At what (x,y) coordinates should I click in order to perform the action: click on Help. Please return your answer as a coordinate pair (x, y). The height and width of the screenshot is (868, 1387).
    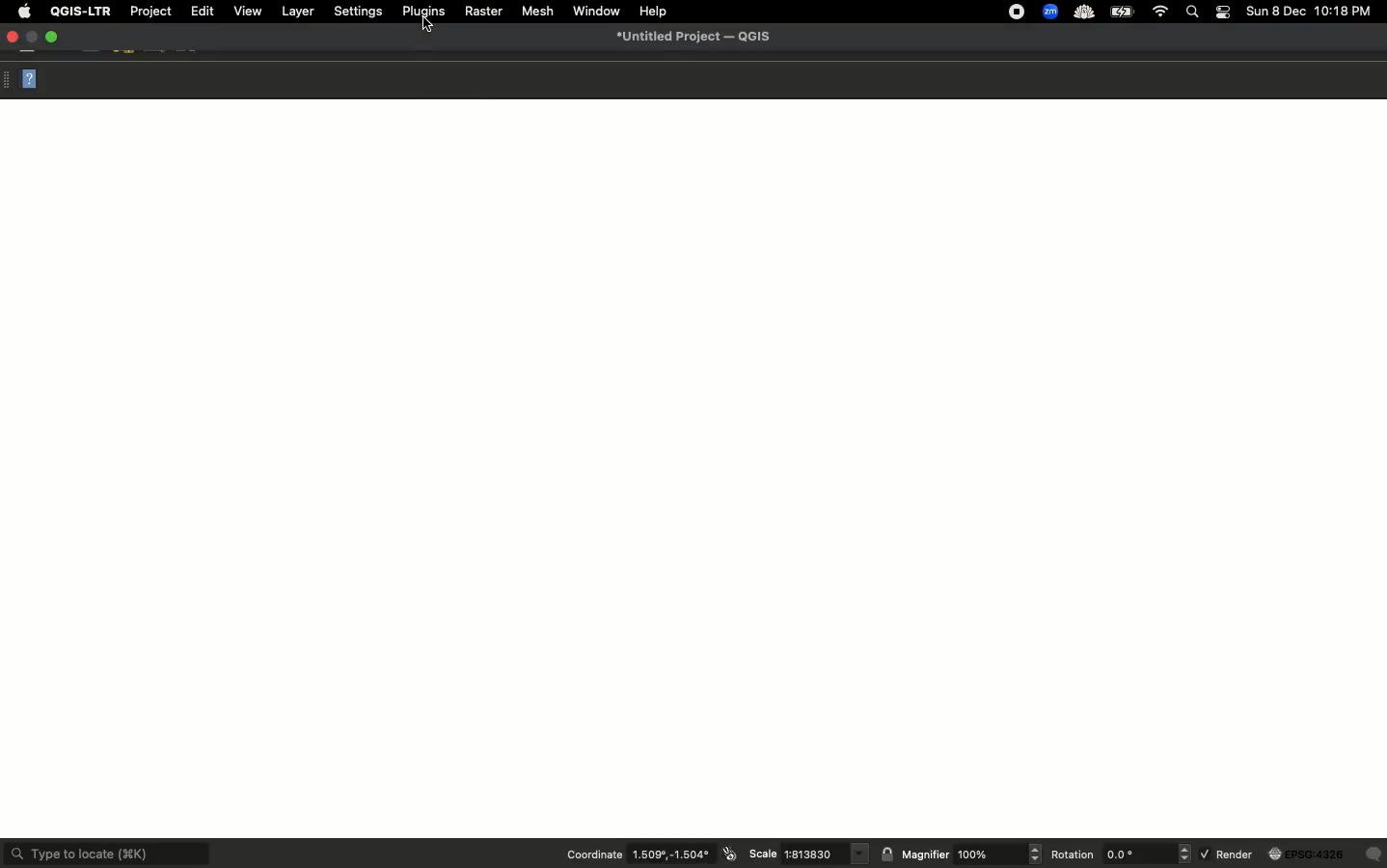
    Looking at the image, I should click on (24, 79).